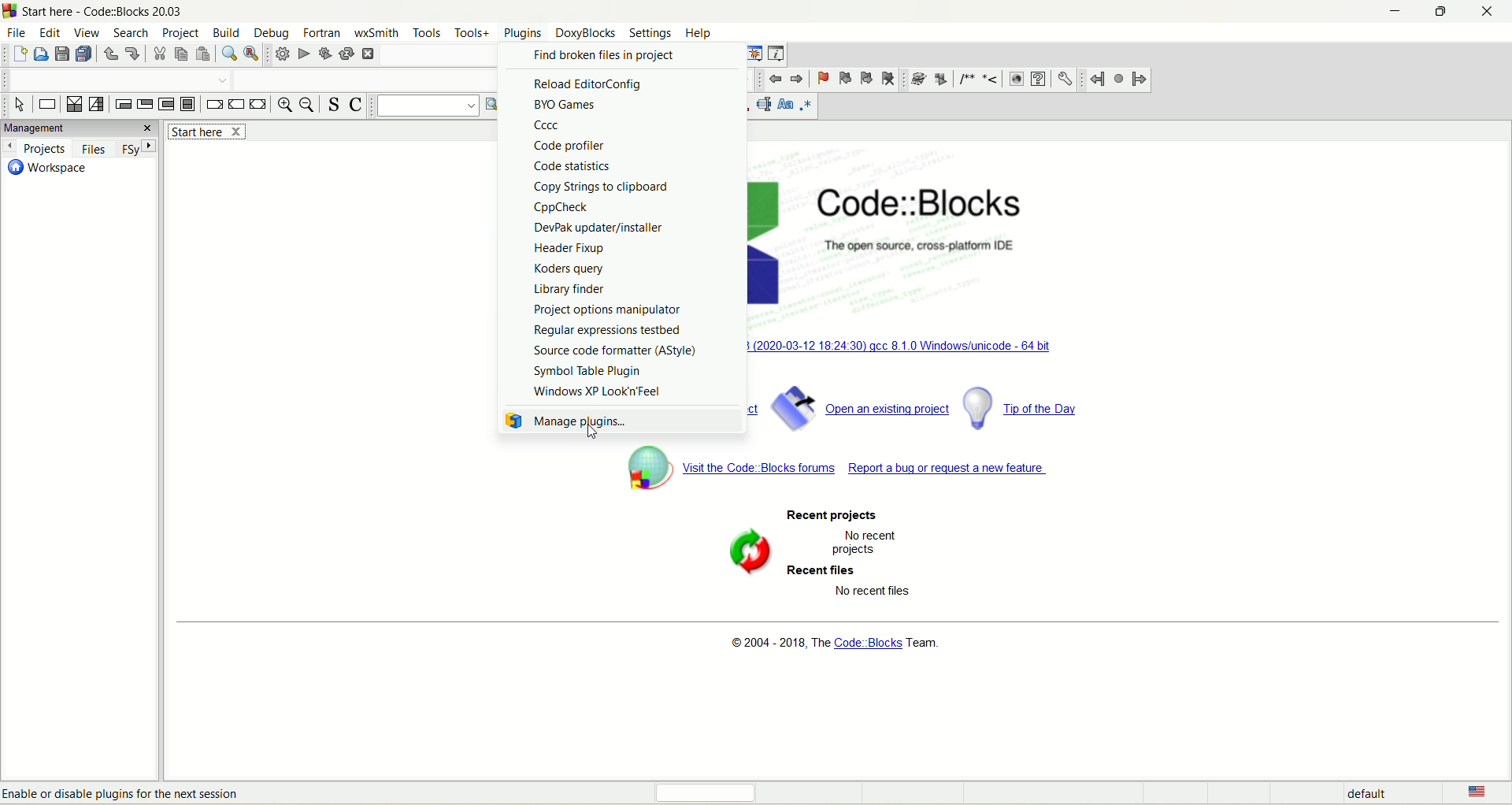 The width and height of the screenshot is (1512, 805). What do you see at coordinates (134, 53) in the screenshot?
I see `redo` at bounding box center [134, 53].